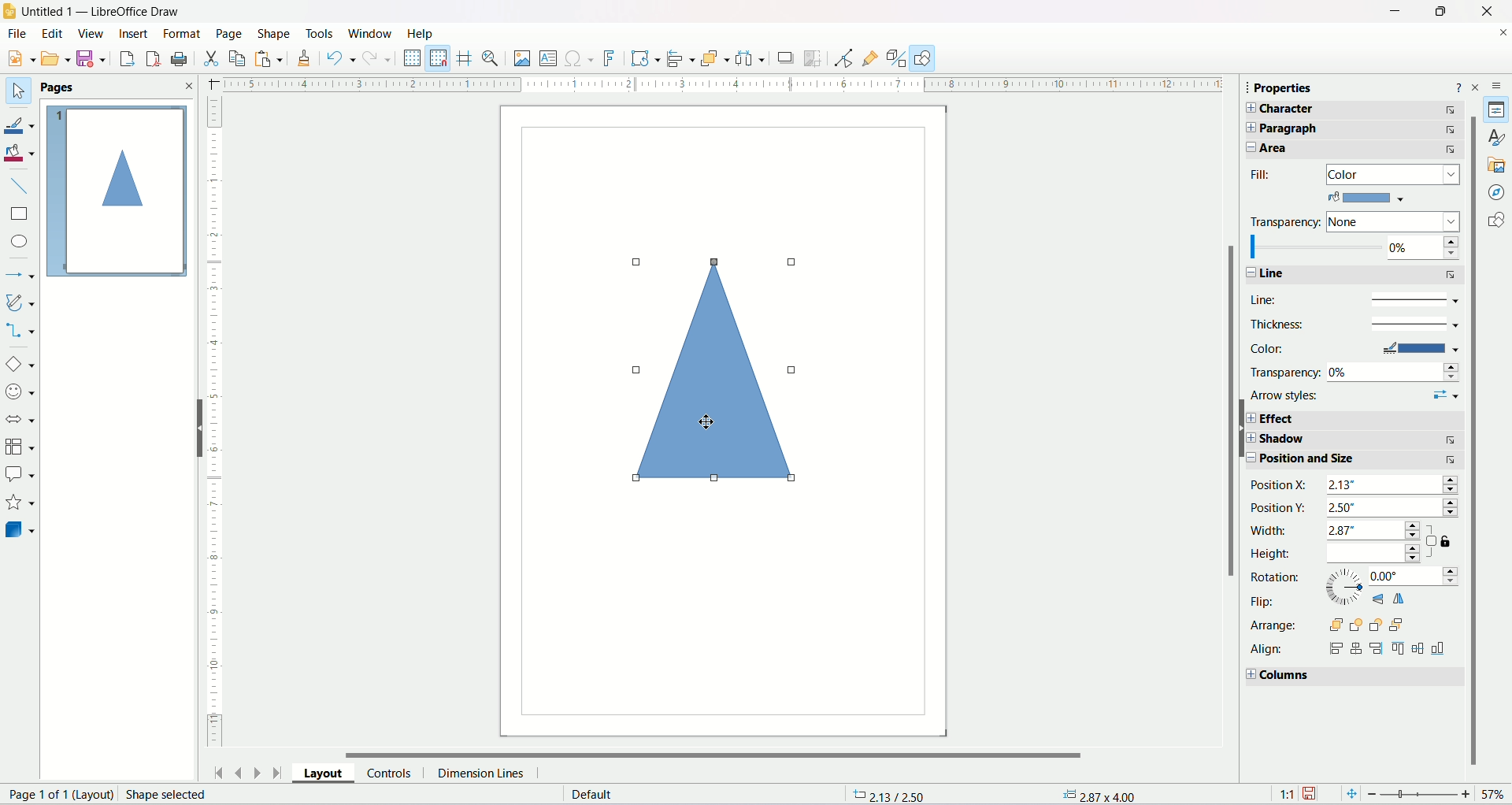  I want to click on Close document, so click(1502, 32).